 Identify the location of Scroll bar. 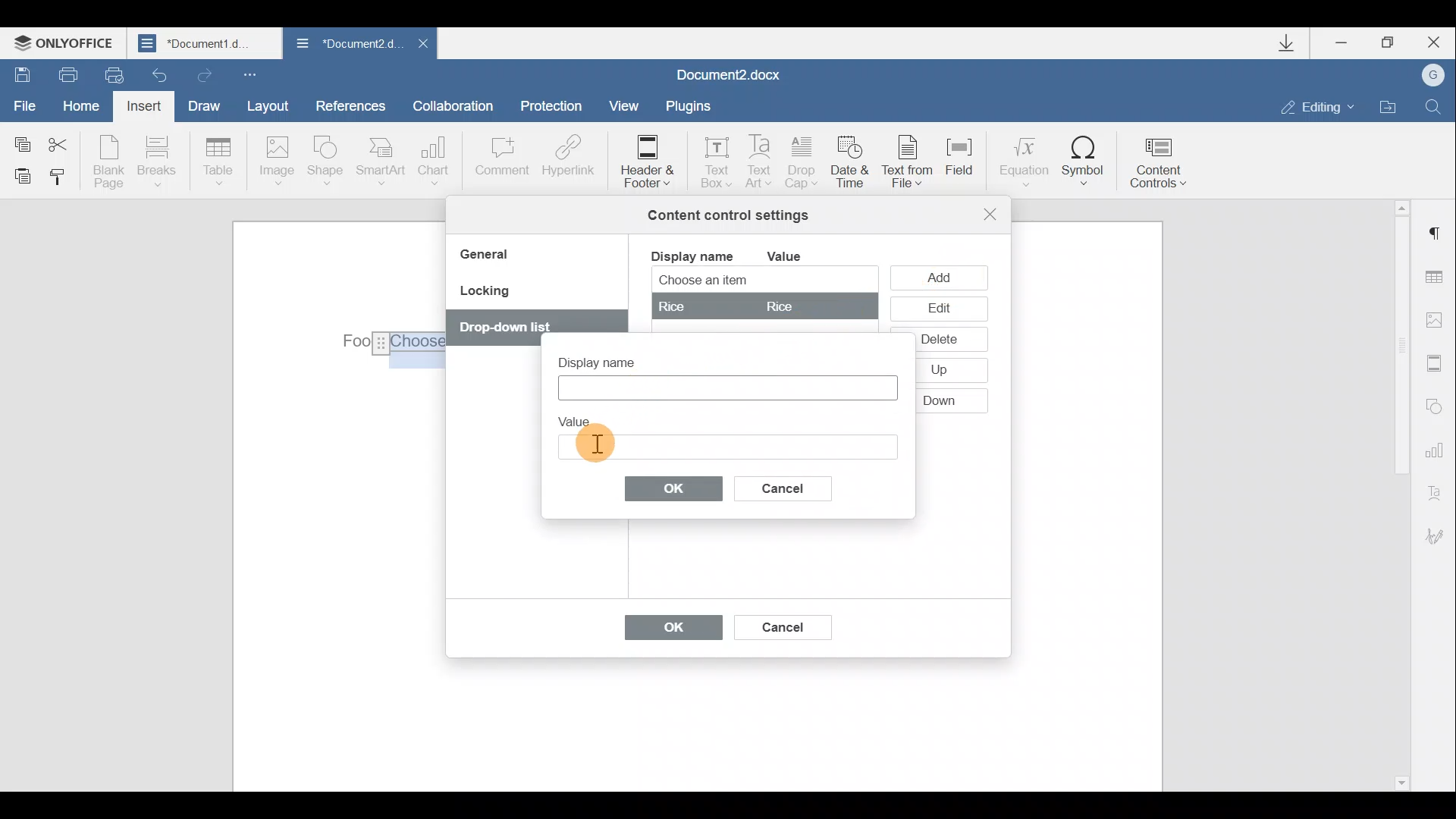
(1397, 493).